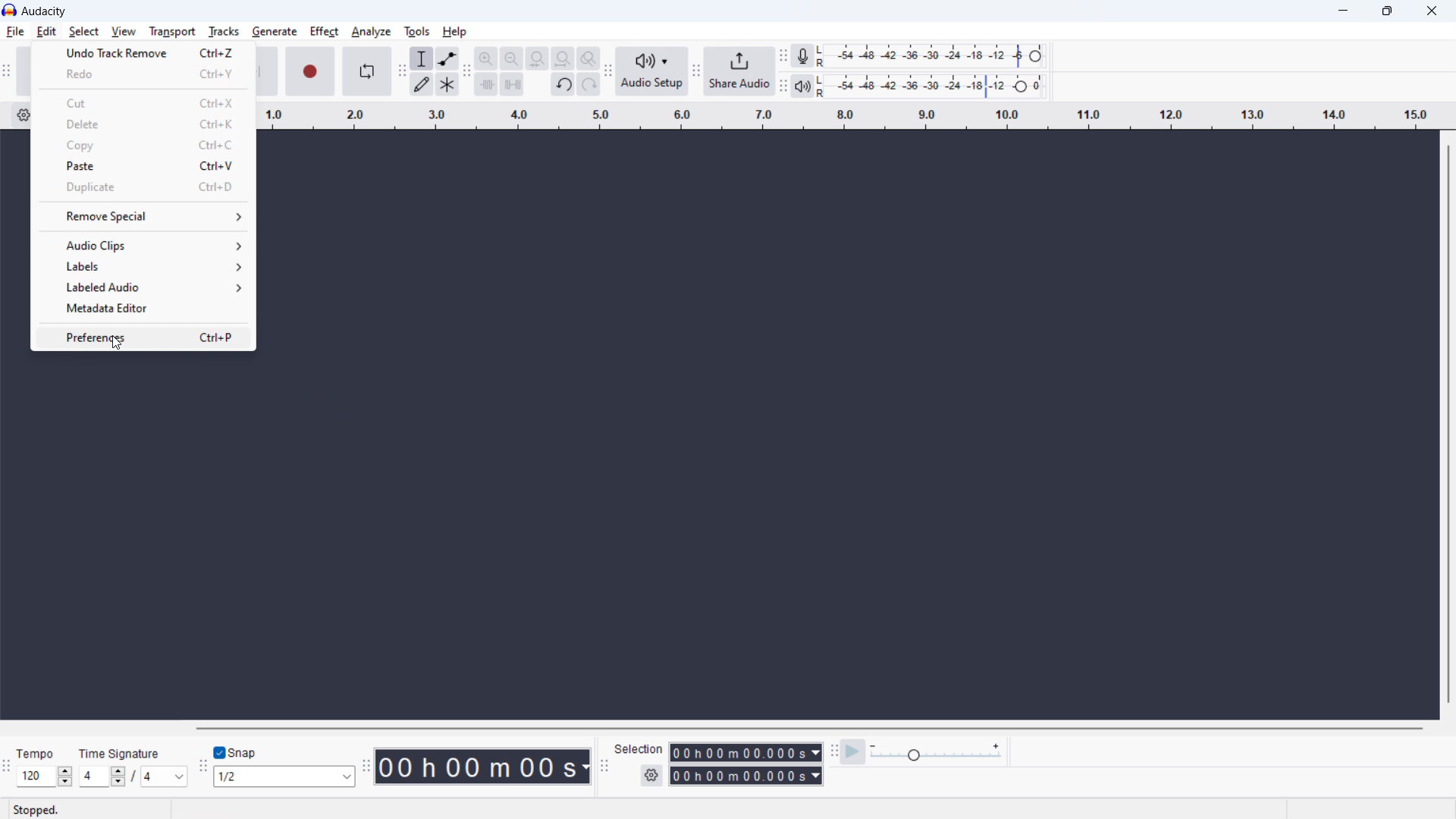  I want to click on Vertical scroll bar, so click(1446, 426).